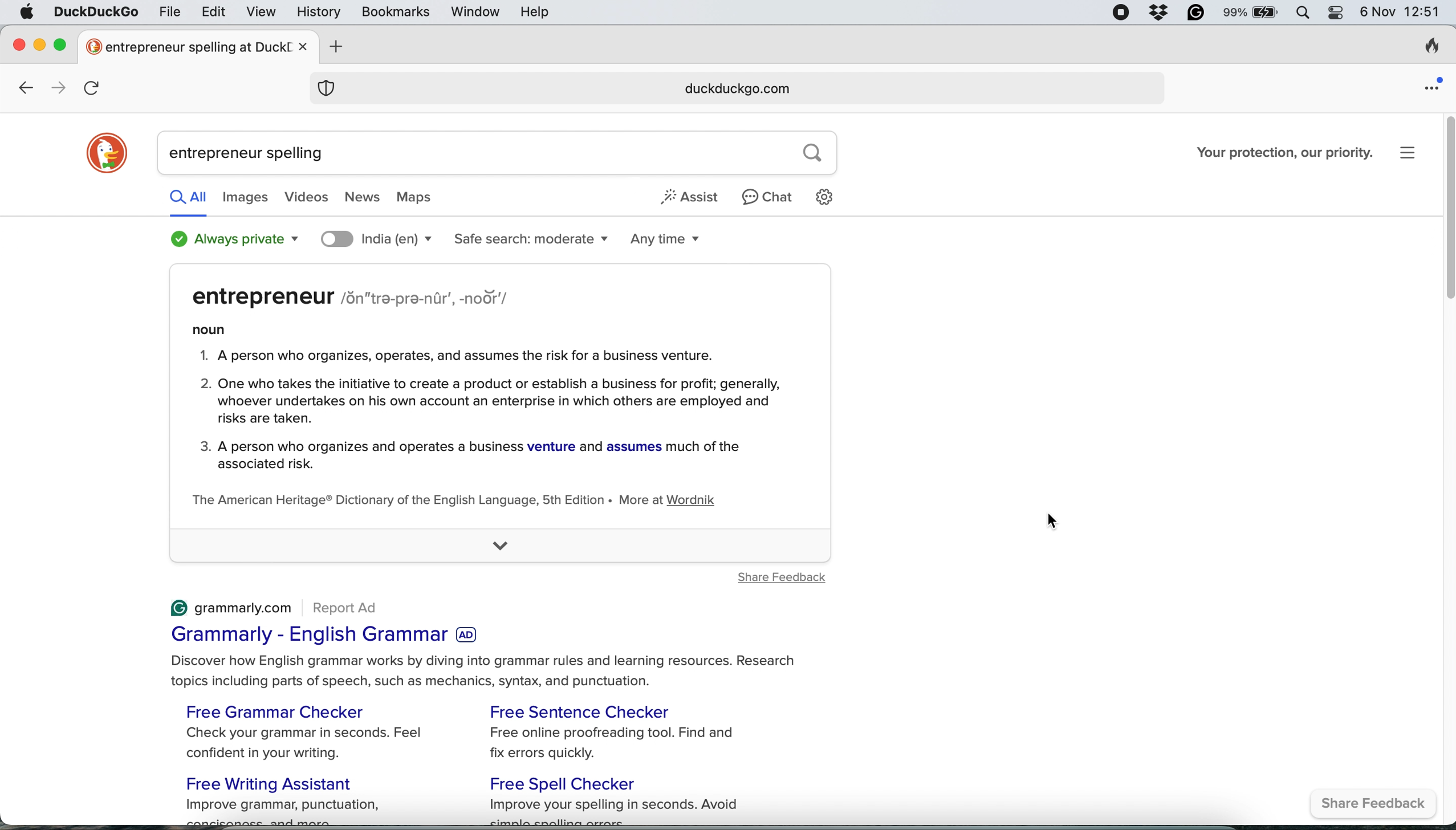  I want to click on safe search moderate, so click(530, 239).